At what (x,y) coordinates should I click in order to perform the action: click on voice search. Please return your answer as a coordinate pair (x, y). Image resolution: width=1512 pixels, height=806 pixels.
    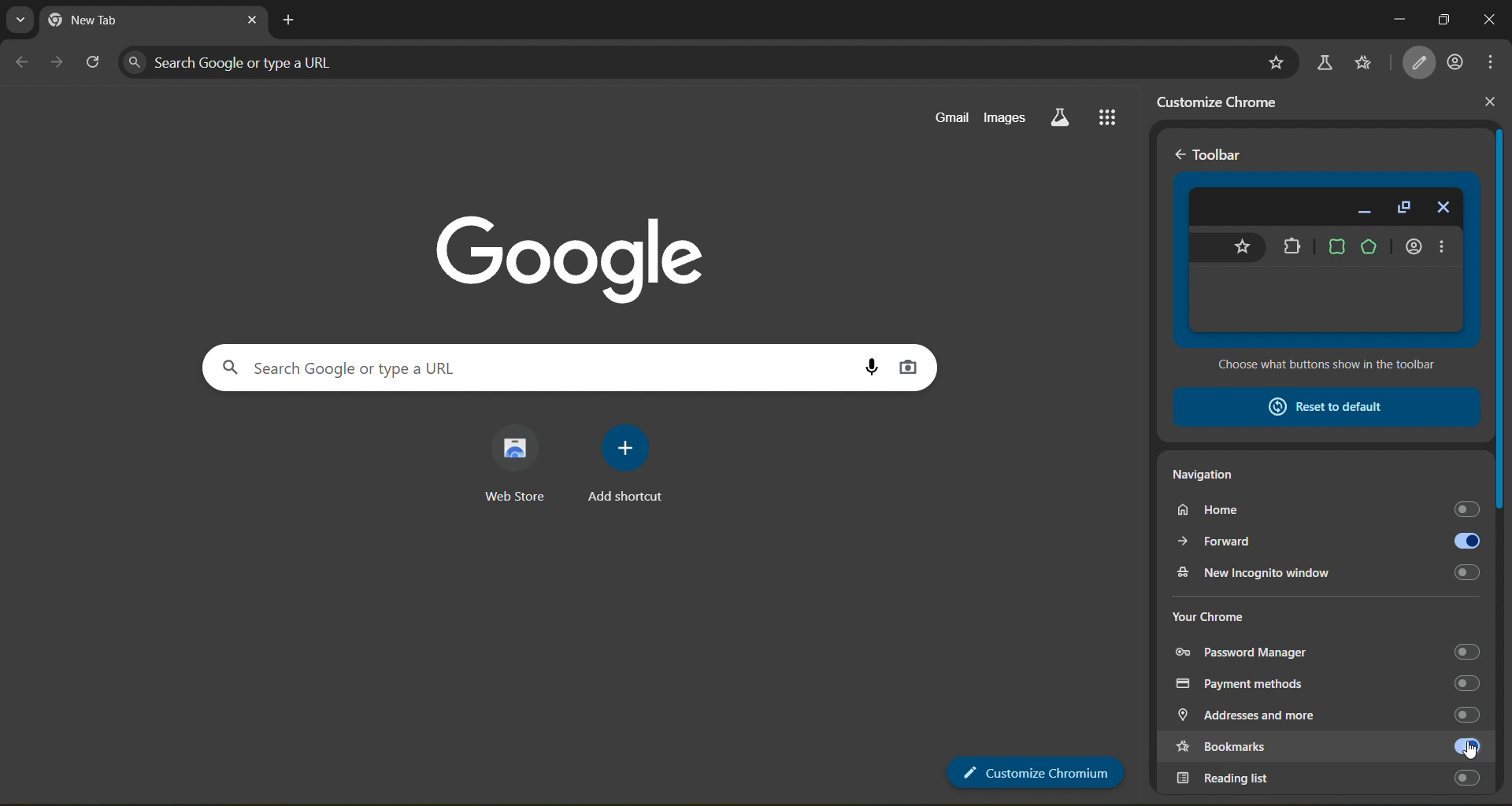
    Looking at the image, I should click on (869, 363).